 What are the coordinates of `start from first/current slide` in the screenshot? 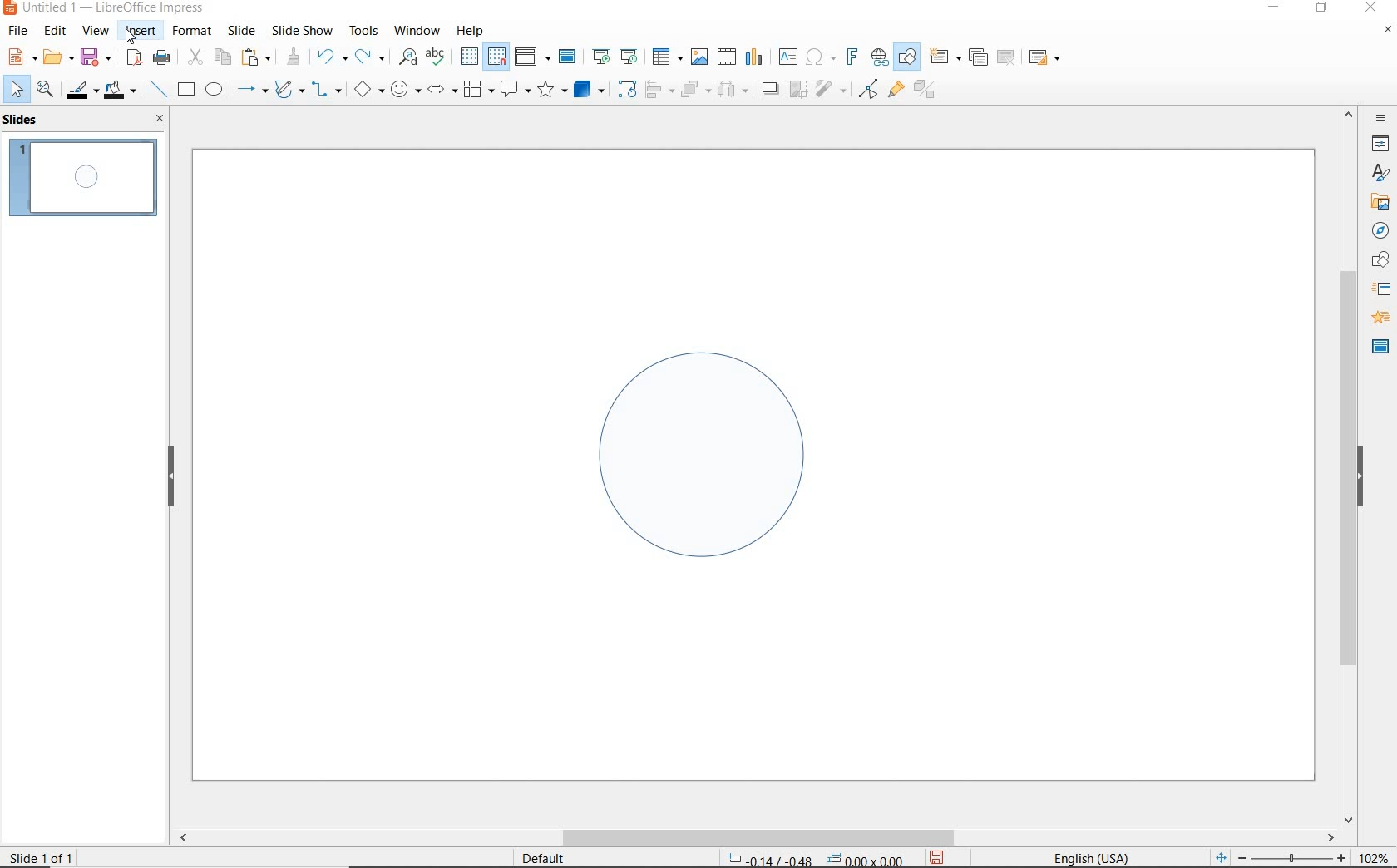 It's located at (615, 55).